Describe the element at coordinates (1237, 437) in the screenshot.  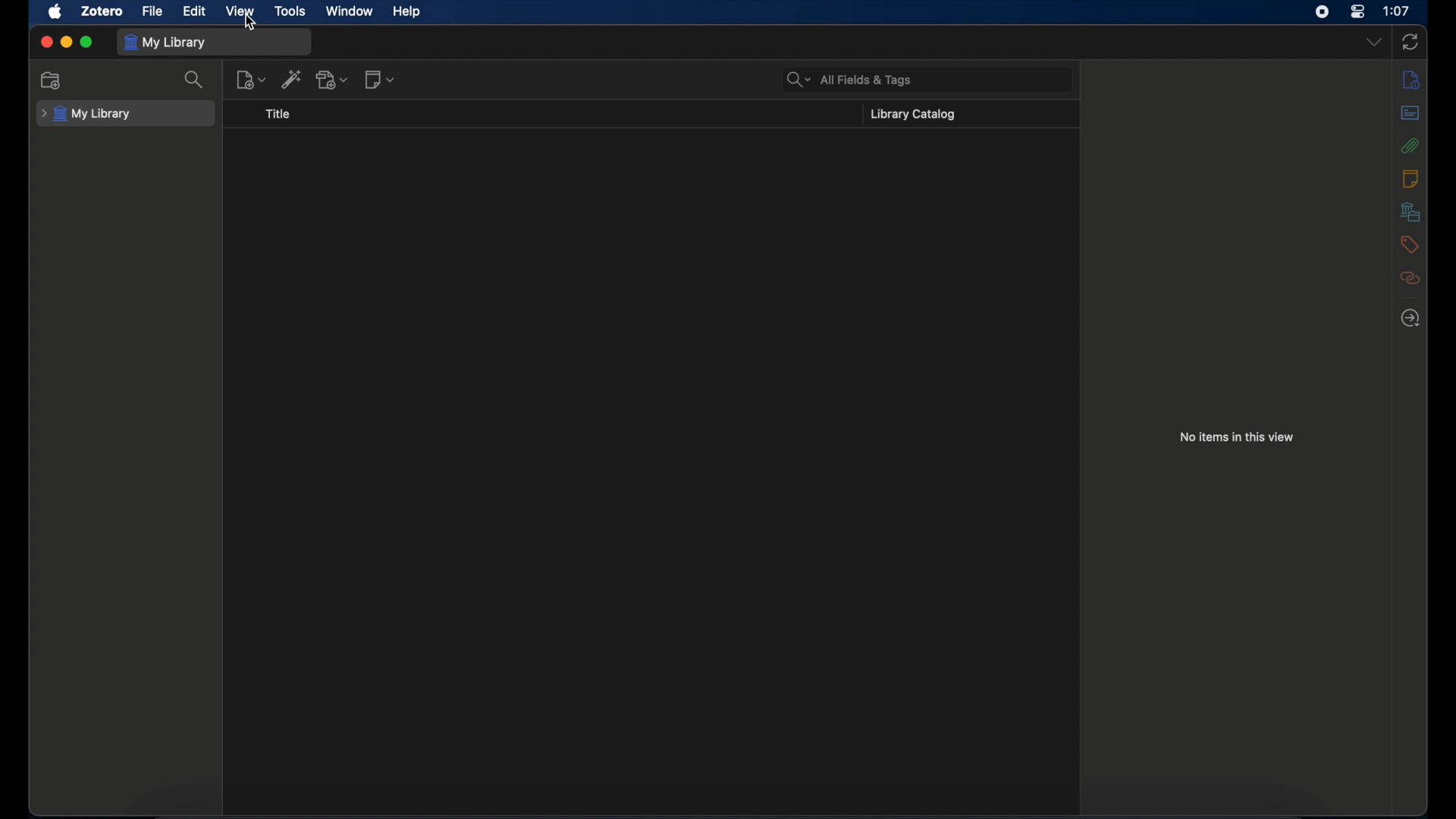
I see `no items in this view` at that location.